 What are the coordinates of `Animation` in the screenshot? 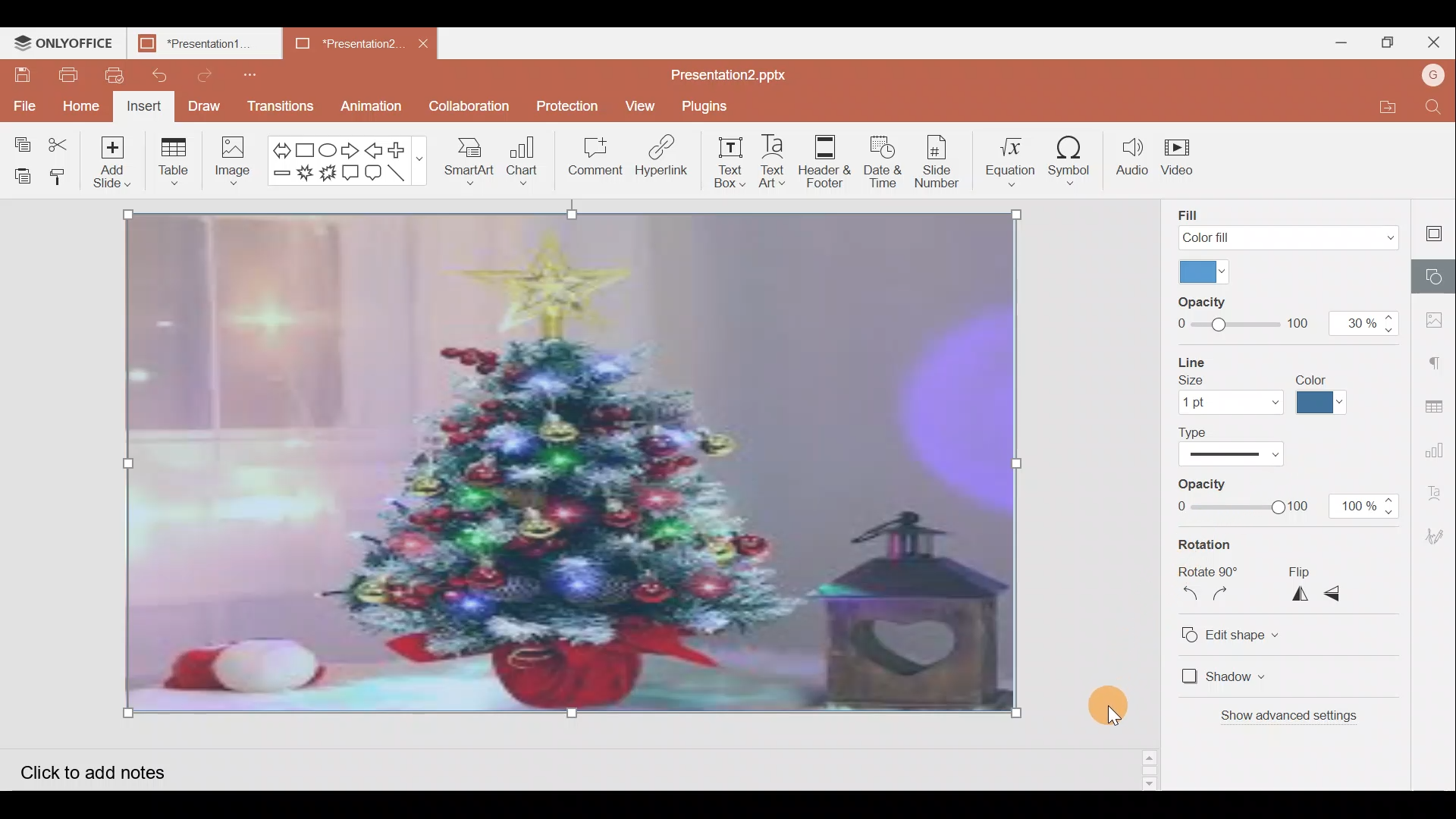 It's located at (377, 103).